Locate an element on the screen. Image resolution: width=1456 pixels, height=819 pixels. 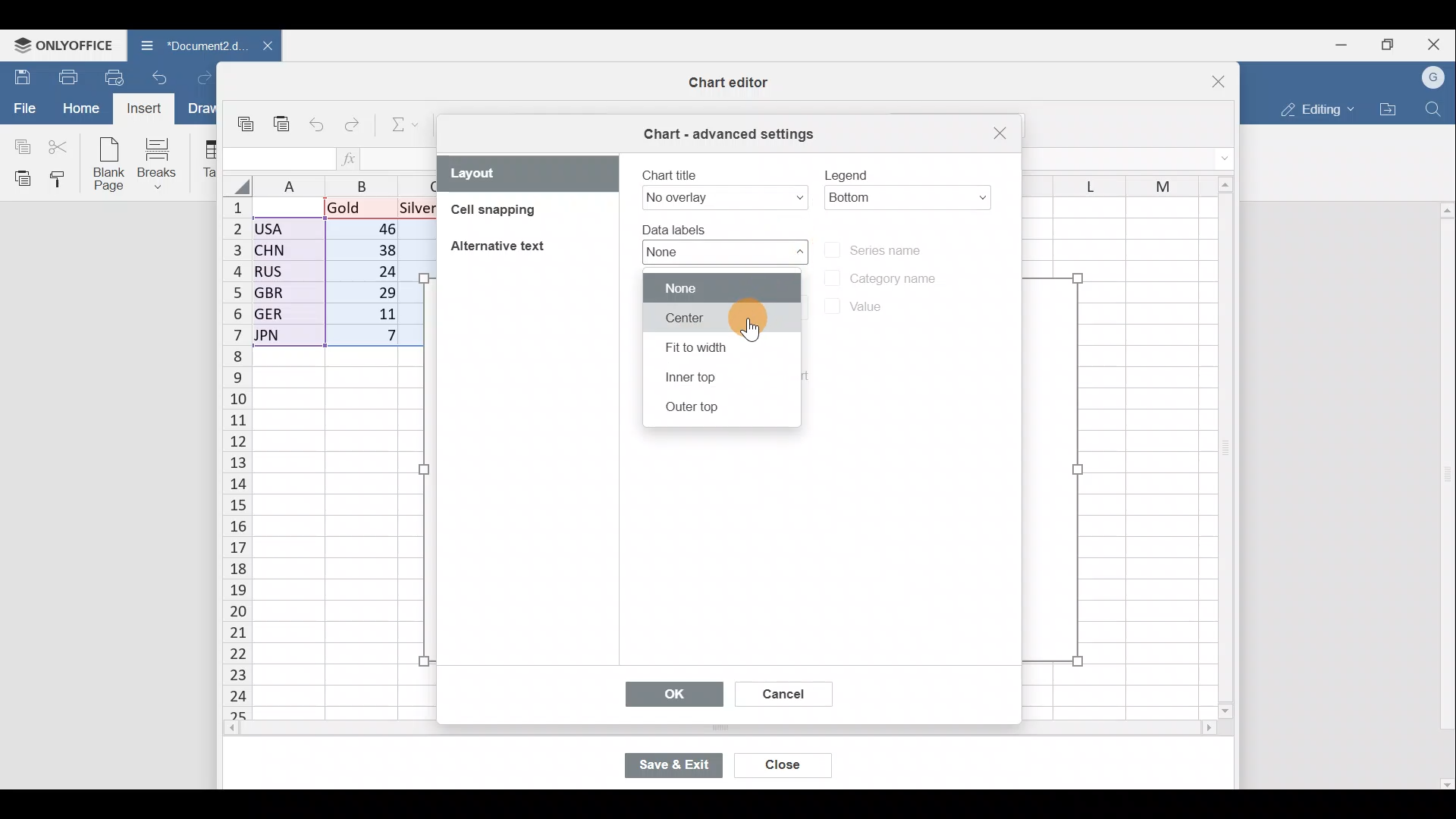
Close is located at coordinates (998, 134).